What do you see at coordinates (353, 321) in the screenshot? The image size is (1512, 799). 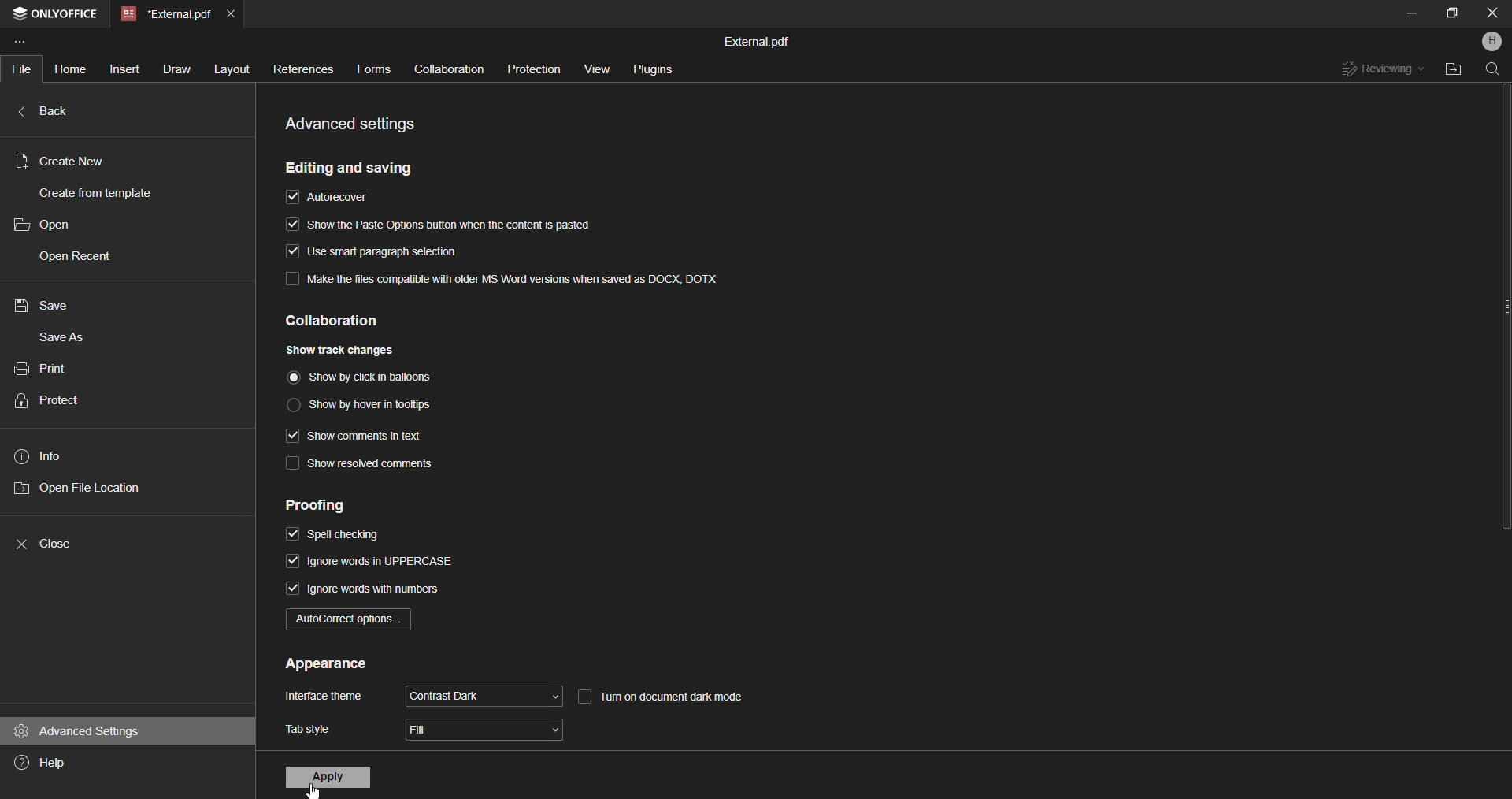 I see `collaboration` at bounding box center [353, 321].